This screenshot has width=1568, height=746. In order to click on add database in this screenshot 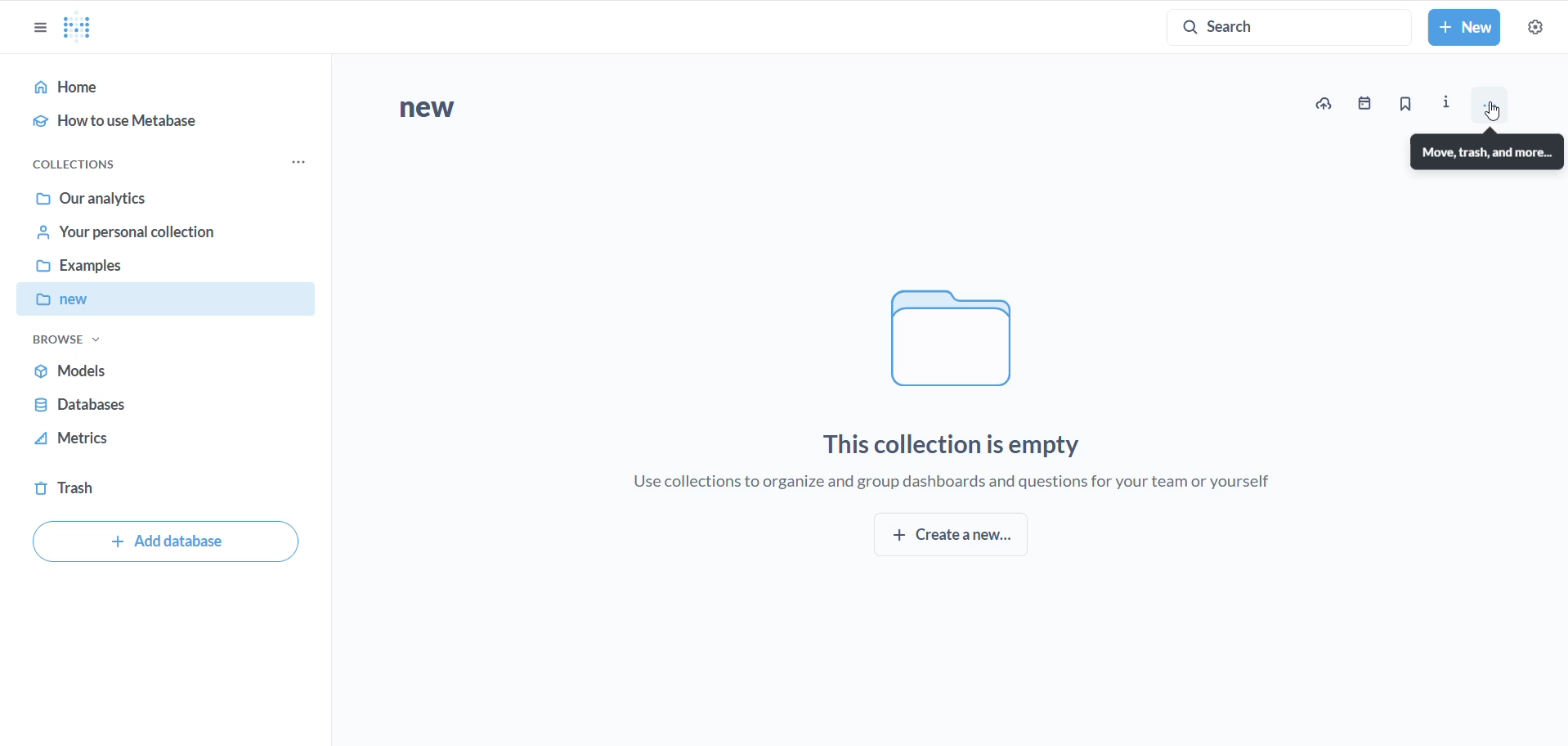, I will do `click(164, 544)`.